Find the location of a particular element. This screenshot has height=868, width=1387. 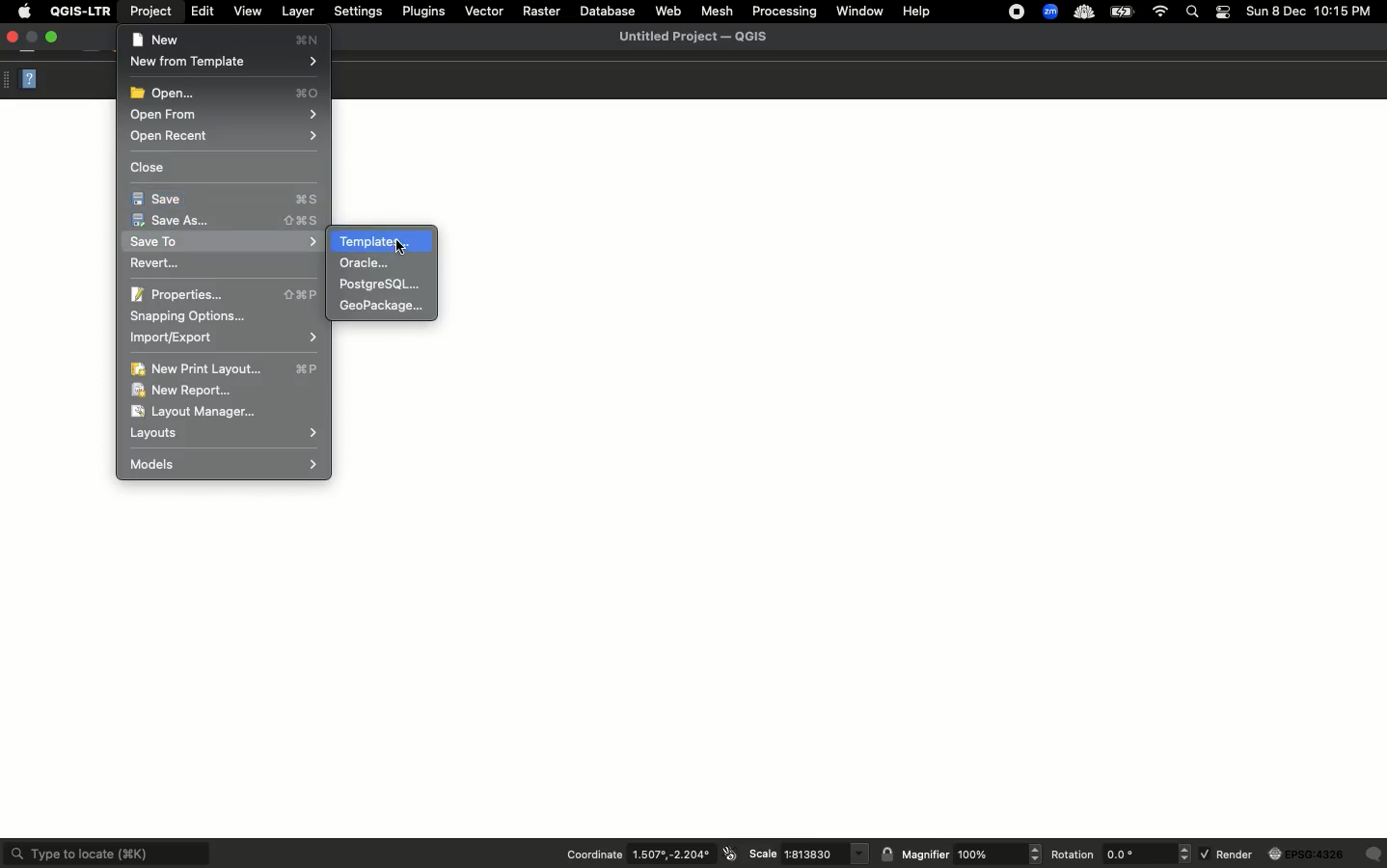

Snapping options is located at coordinates (192, 316).